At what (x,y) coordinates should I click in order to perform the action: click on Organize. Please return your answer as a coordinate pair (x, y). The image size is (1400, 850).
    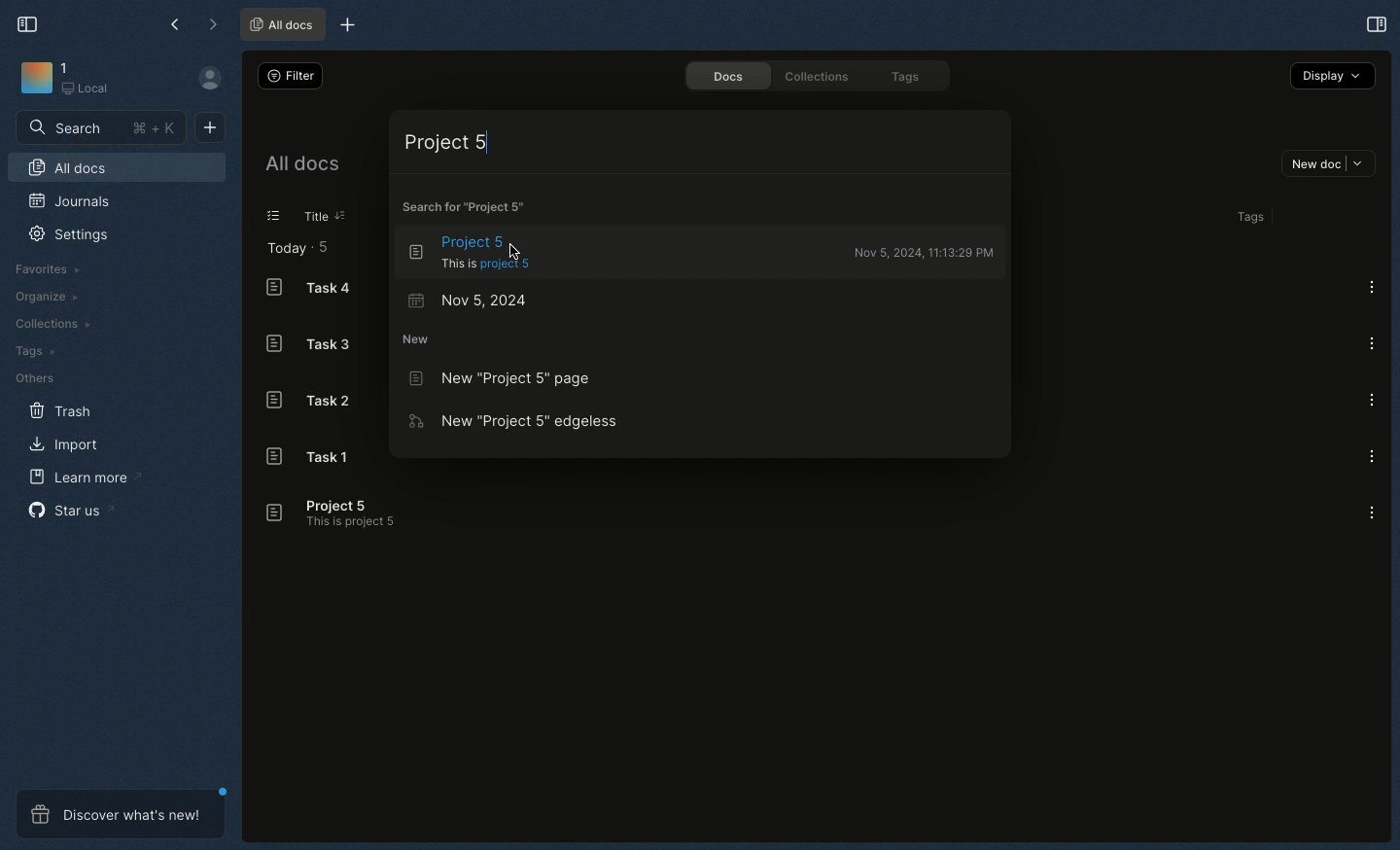
    Looking at the image, I should click on (43, 297).